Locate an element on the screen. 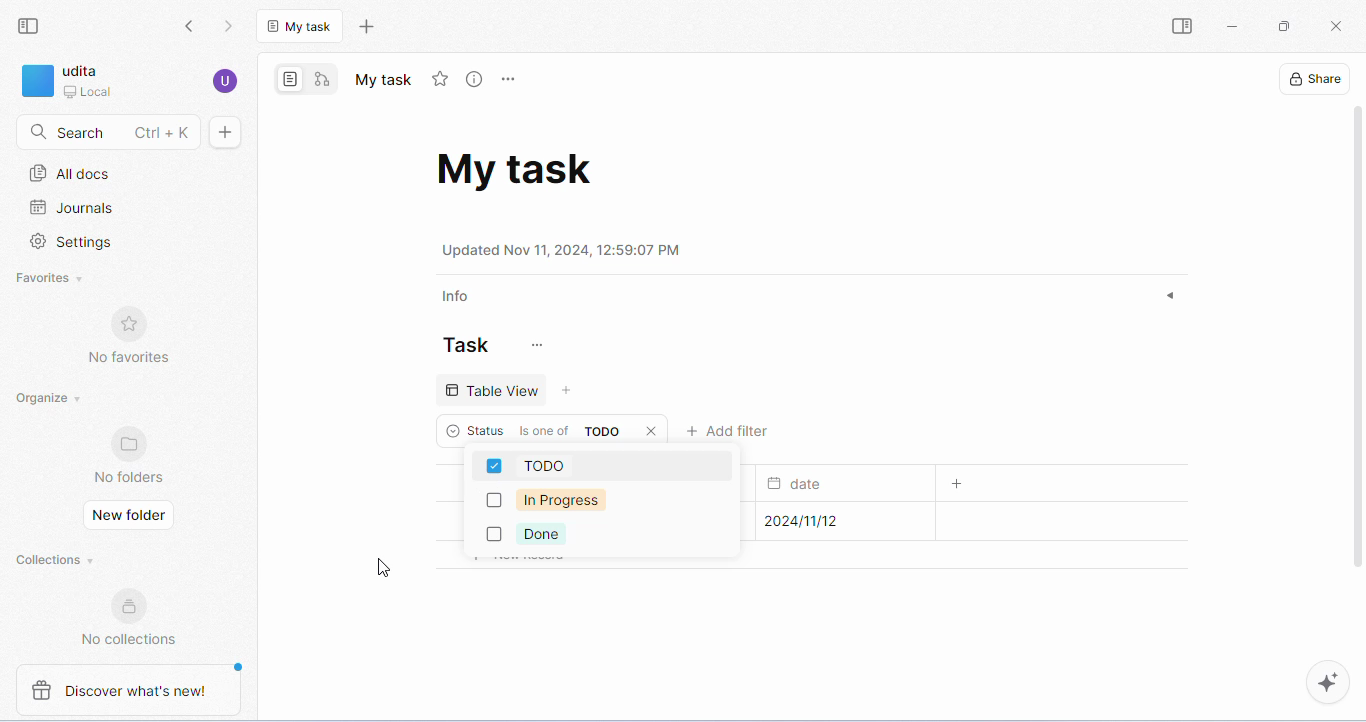 This screenshot has width=1366, height=722. go back is located at coordinates (190, 27).